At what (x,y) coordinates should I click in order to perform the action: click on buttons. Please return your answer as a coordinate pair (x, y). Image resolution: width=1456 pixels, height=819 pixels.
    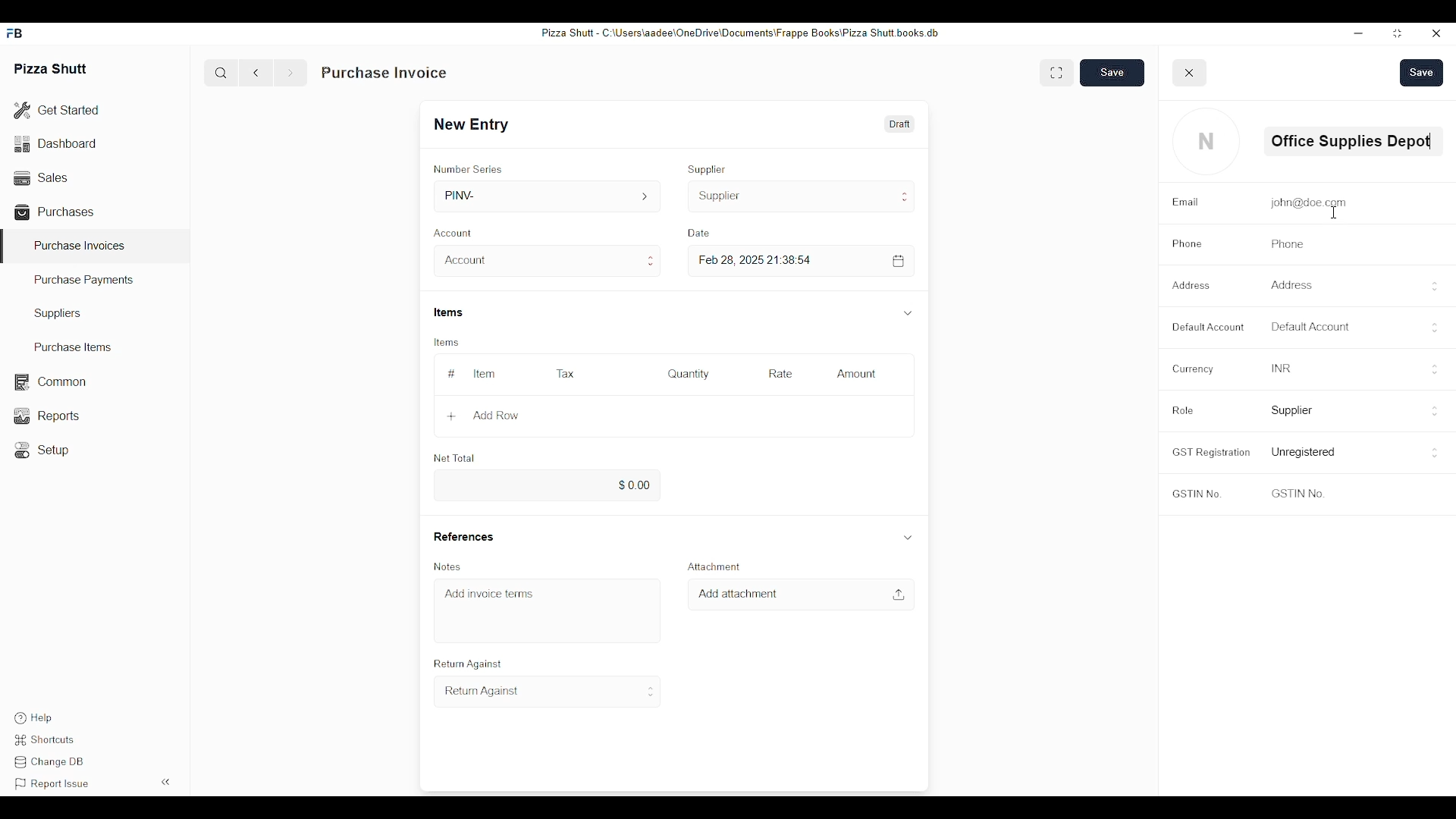
    Looking at the image, I should click on (1434, 287).